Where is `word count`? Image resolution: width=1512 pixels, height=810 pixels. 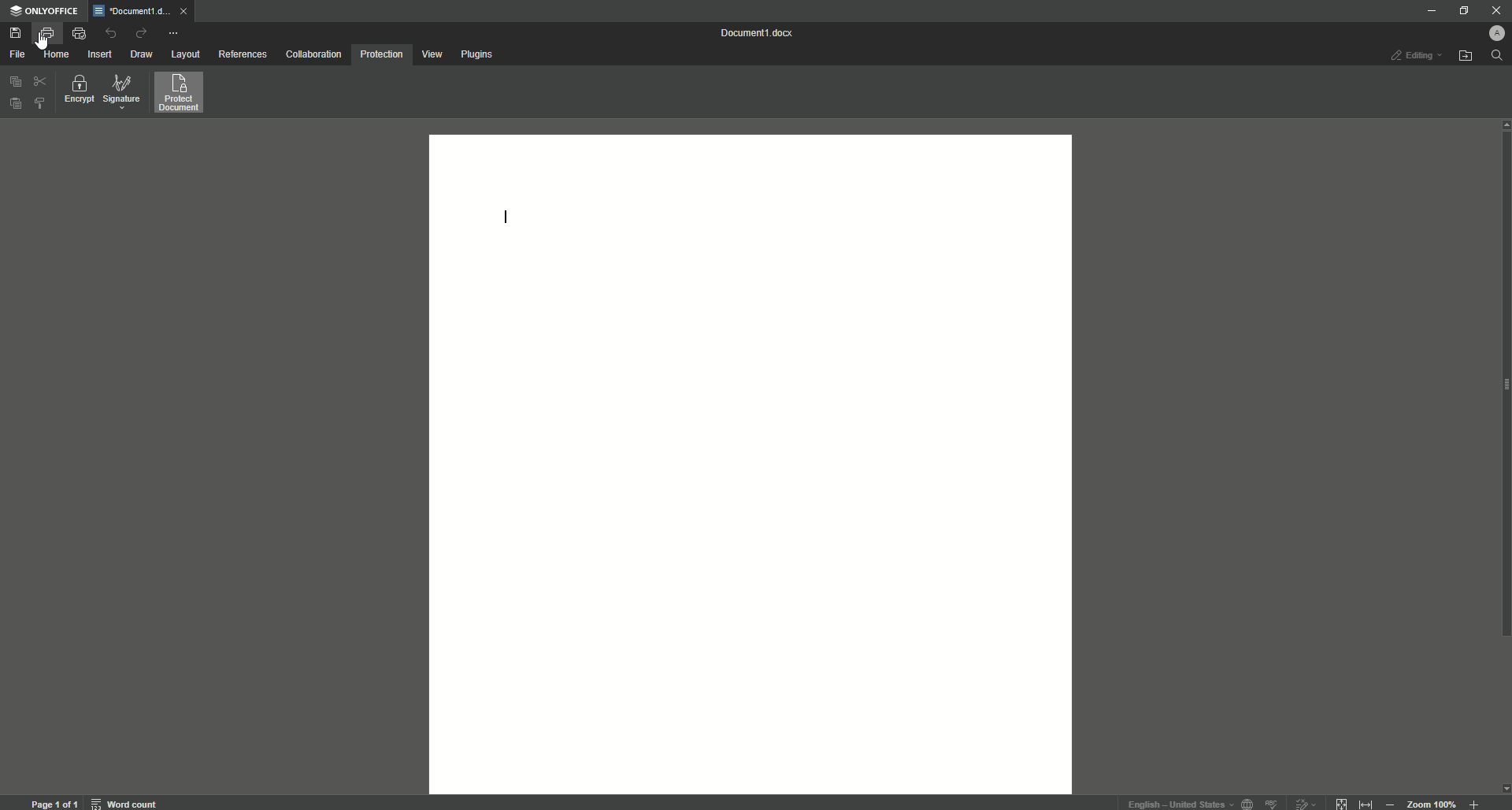 word count is located at coordinates (123, 803).